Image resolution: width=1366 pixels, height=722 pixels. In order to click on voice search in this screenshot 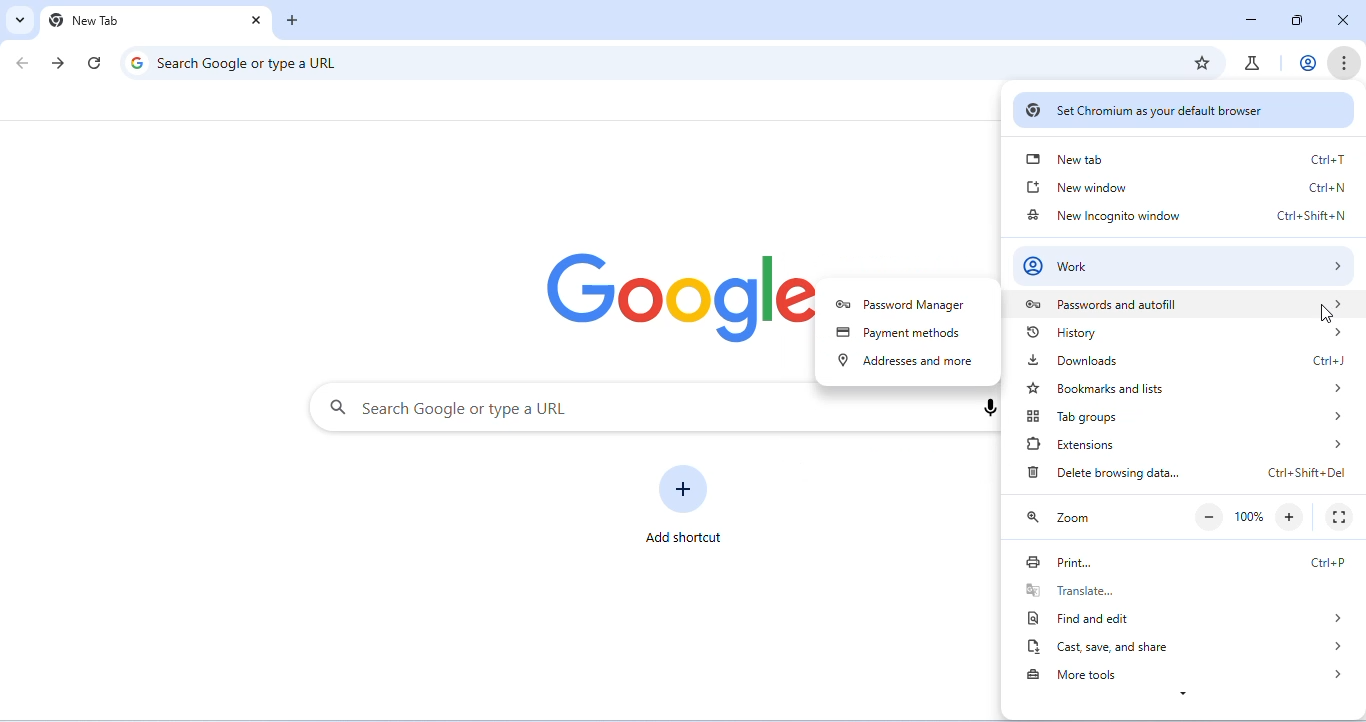, I will do `click(986, 408)`.